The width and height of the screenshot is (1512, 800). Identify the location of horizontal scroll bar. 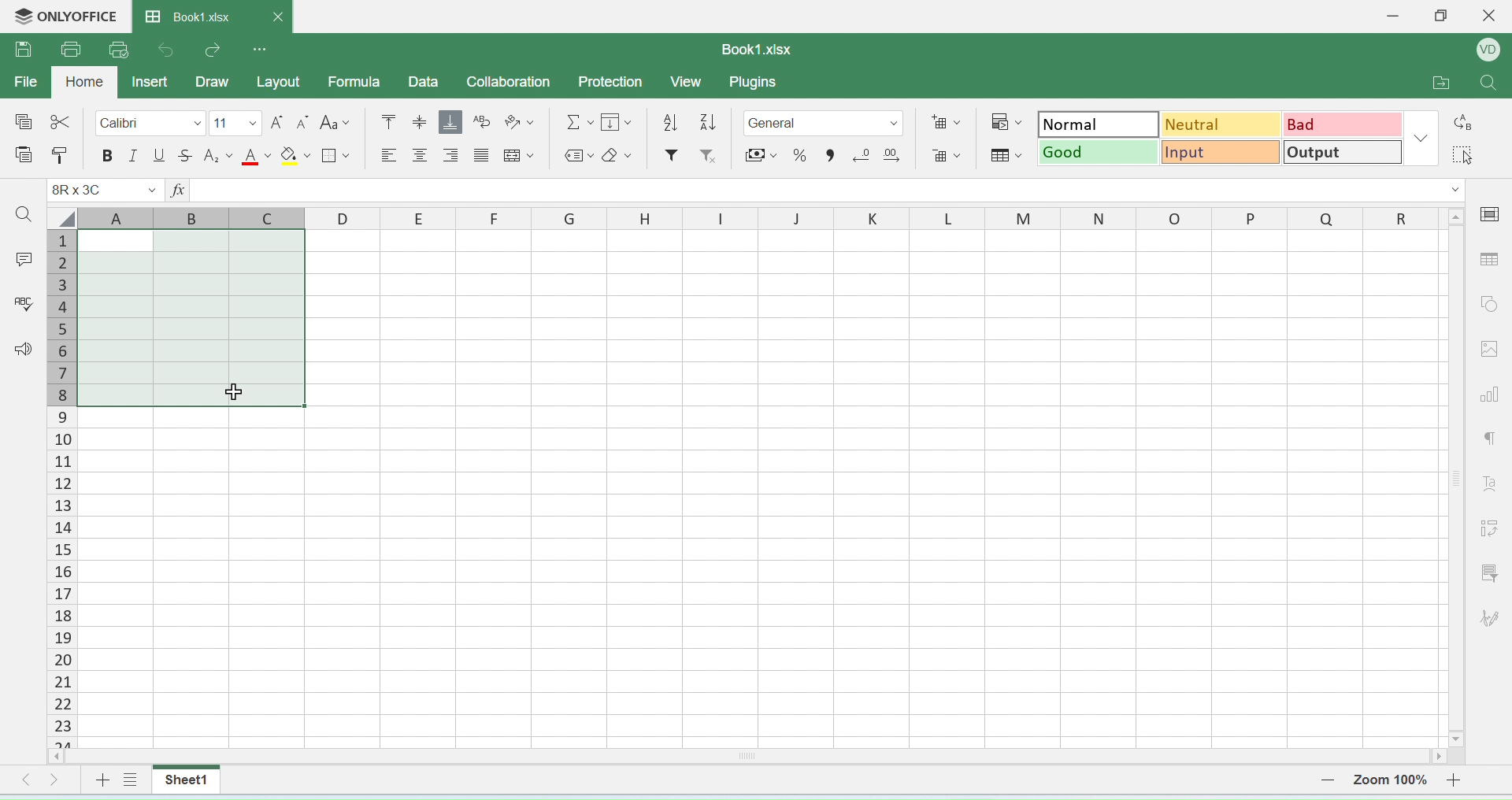
(750, 758).